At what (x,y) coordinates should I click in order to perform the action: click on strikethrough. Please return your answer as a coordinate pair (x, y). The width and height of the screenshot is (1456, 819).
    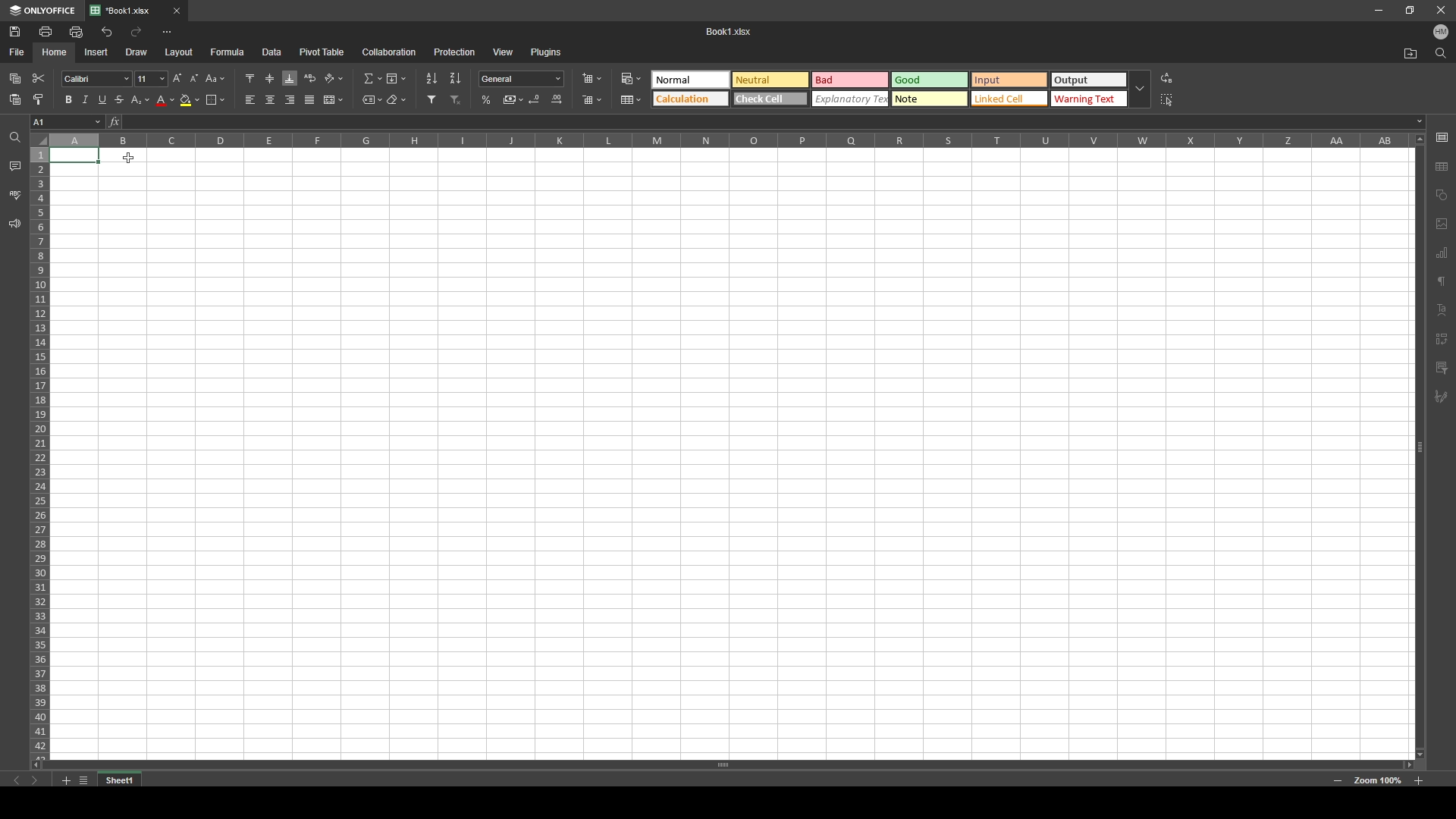
    Looking at the image, I should click on (120, 99).